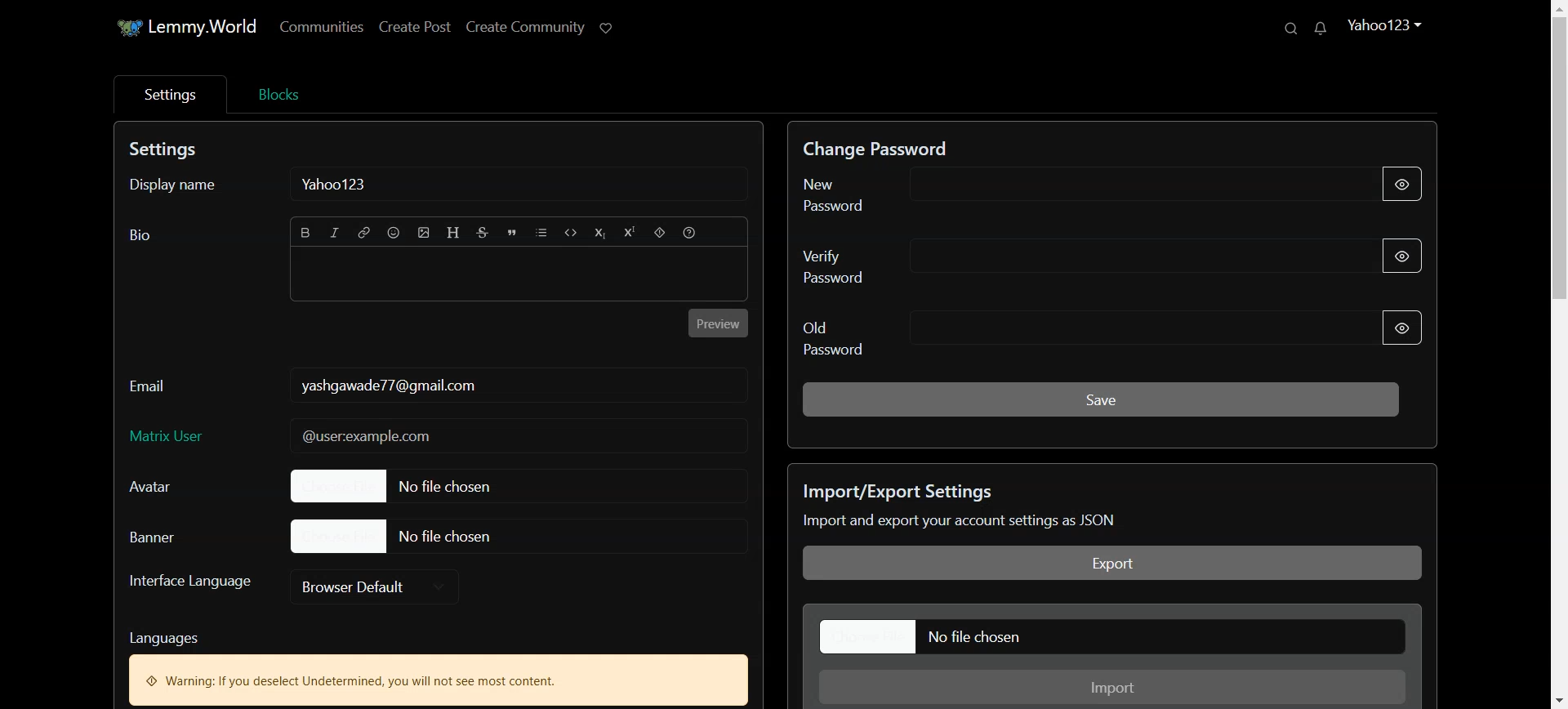  I want to click on Lemmy. World, so click(175, 28).